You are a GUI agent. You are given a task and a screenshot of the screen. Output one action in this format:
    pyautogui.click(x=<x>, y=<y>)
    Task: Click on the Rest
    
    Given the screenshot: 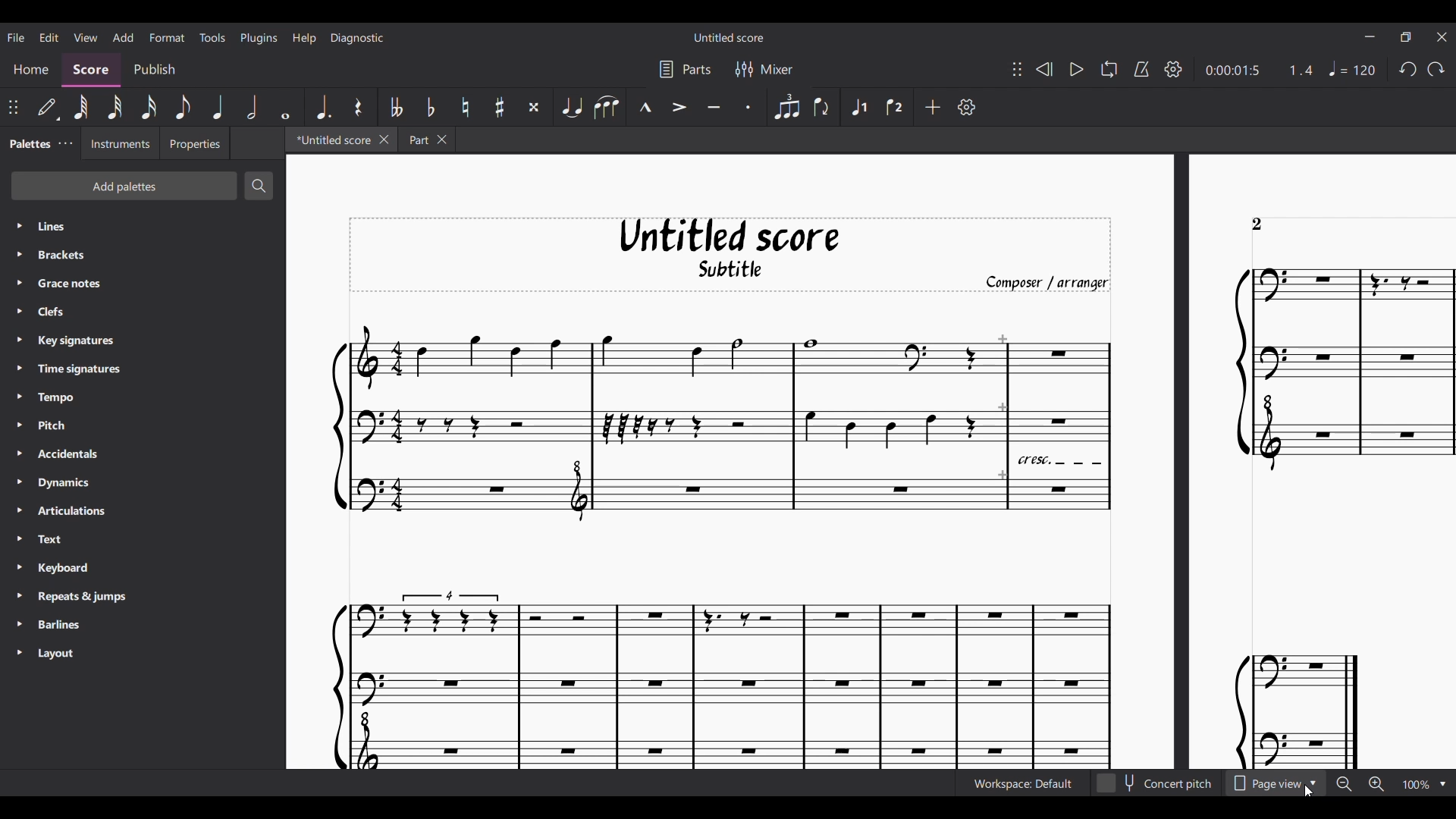 What is the action you would take?
    pyautogui.click(x=359, y=106)
    